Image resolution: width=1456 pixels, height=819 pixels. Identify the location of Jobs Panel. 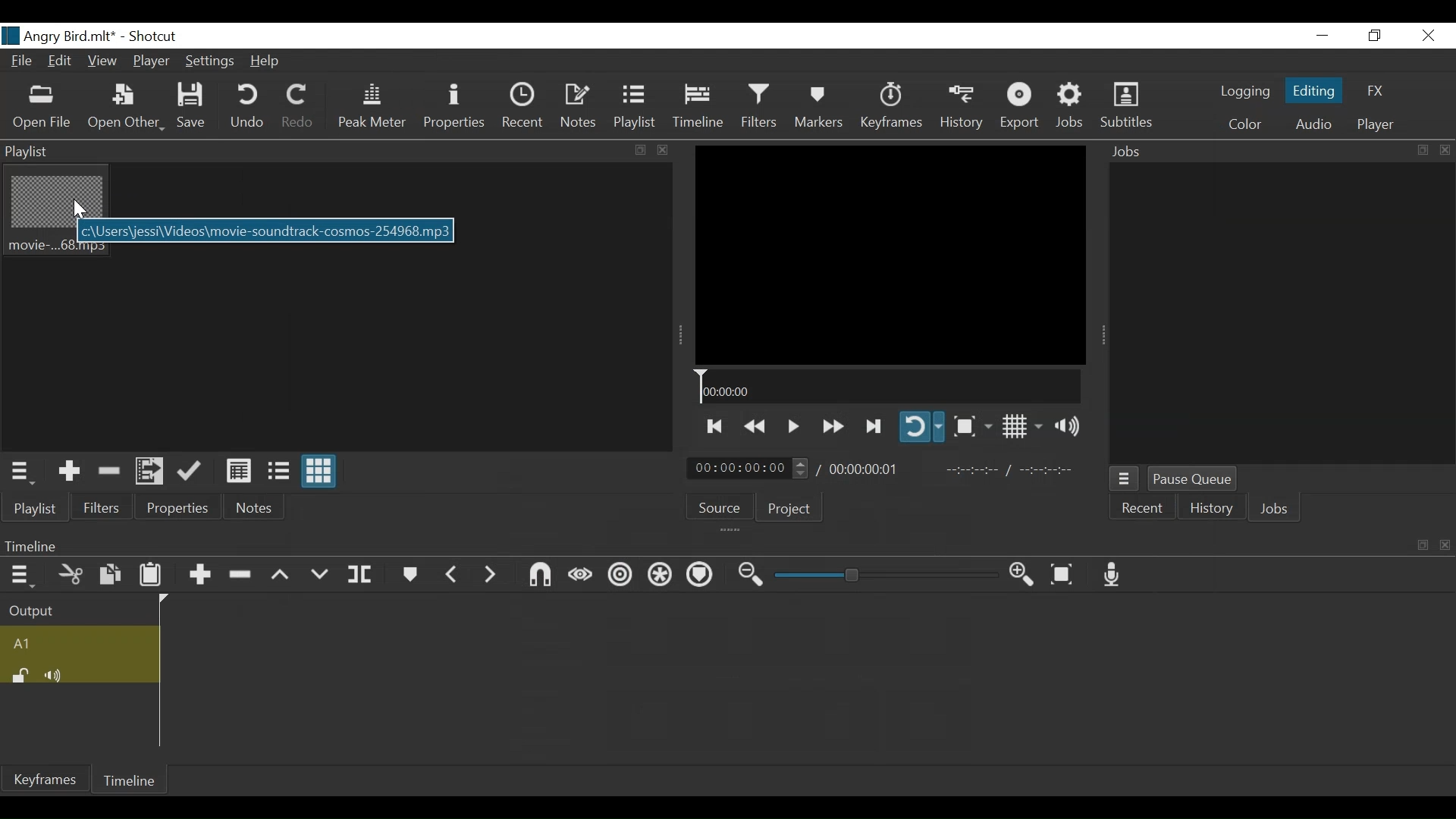
(1278, 312).